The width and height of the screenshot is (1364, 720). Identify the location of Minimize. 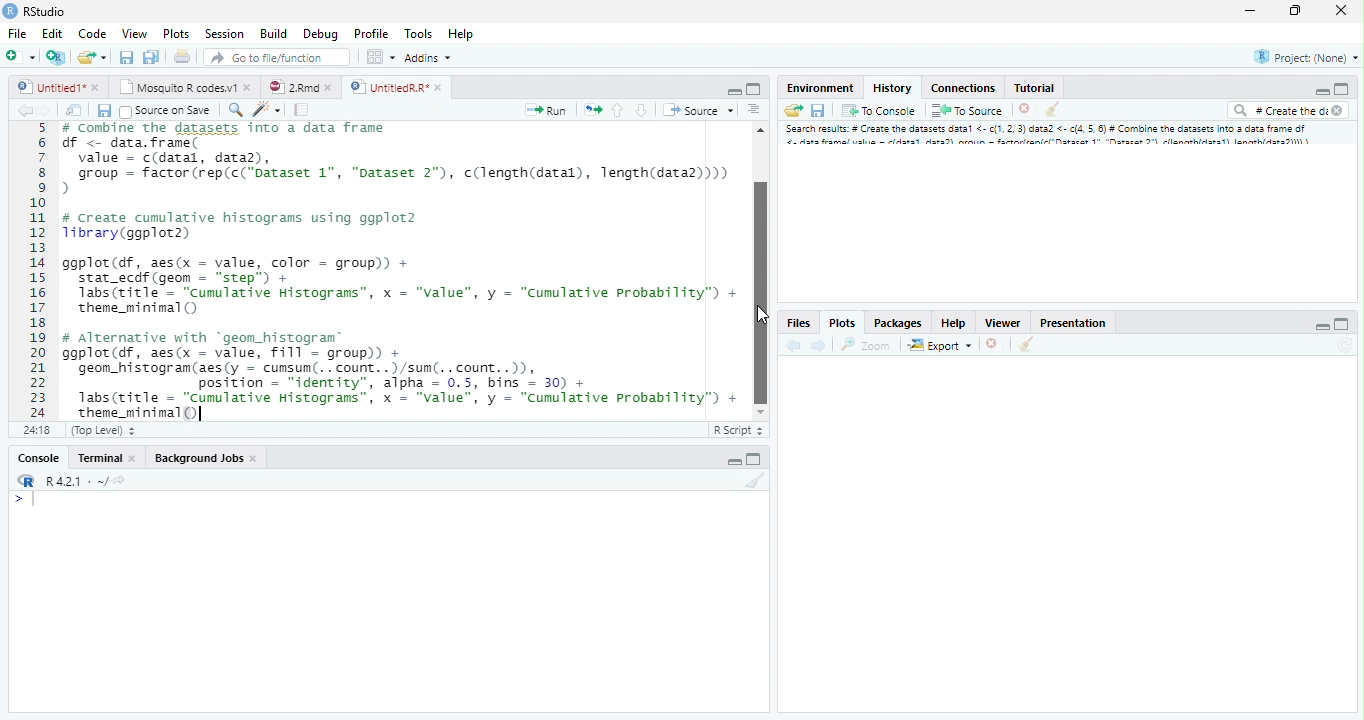
(1253, 11).